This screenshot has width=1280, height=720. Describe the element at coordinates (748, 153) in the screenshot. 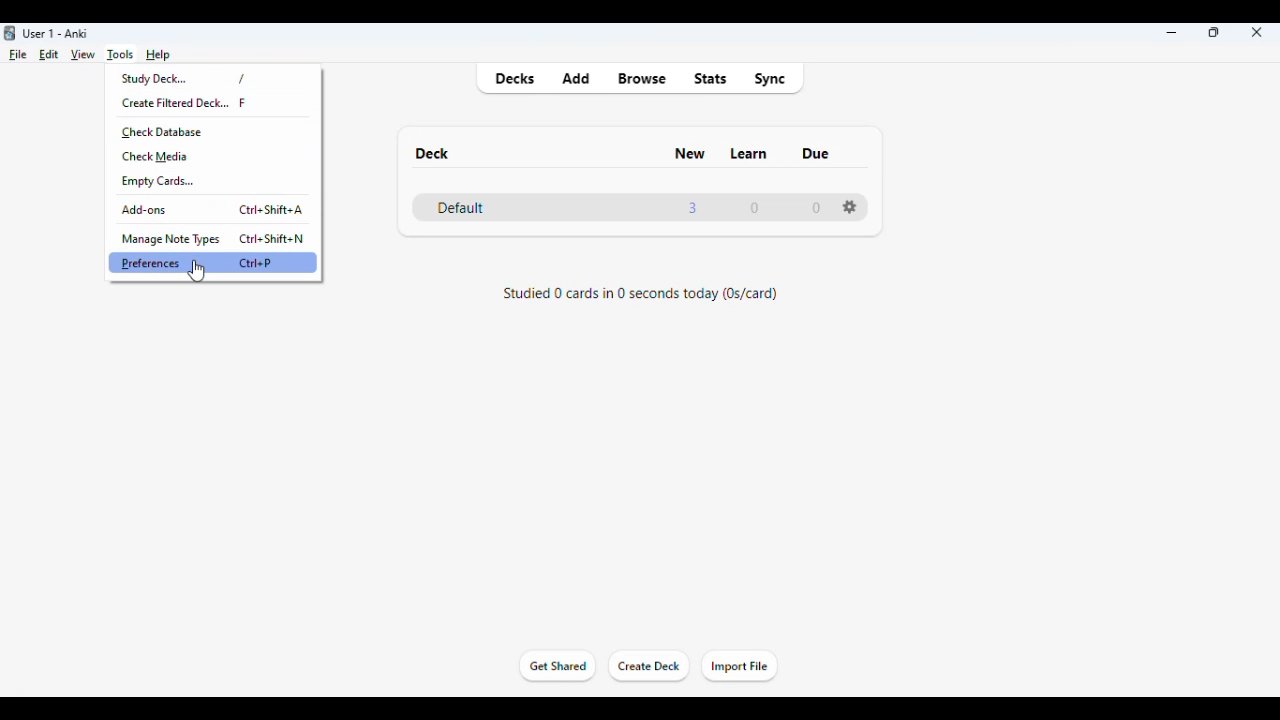

I see `learn` at that location.